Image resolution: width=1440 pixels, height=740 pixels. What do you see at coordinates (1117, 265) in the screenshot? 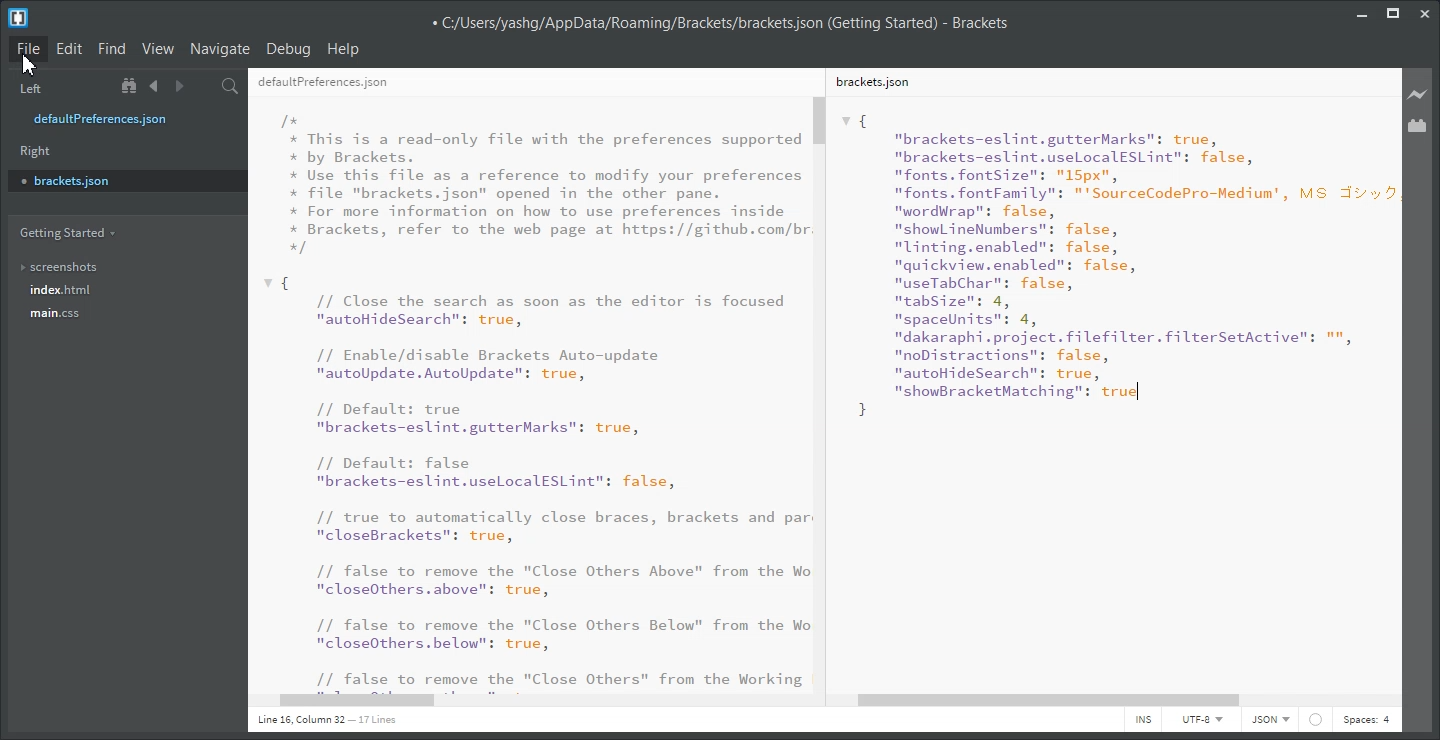
I see `{"brackets-eslint.gutterMarks": true,"brackets-eslint.uselocalESLint": false,"fonts. fontSize": "15px","fonts. fontFamily": "'SourceCodePro-Medium', MS J:"wordWrap": false,"show ineNumbers": false,"linting.enabled": false,"quickview.enabled": false,"useTabChar": false,"tabSize": 4,"spaceUnits": 4,"dakaraphi.project. filefilter.filterSetActive": "","noDistractions": false,"autoHideSearch”: true,nshowBracketMatching": true }` at bounding box center [1117, 265].